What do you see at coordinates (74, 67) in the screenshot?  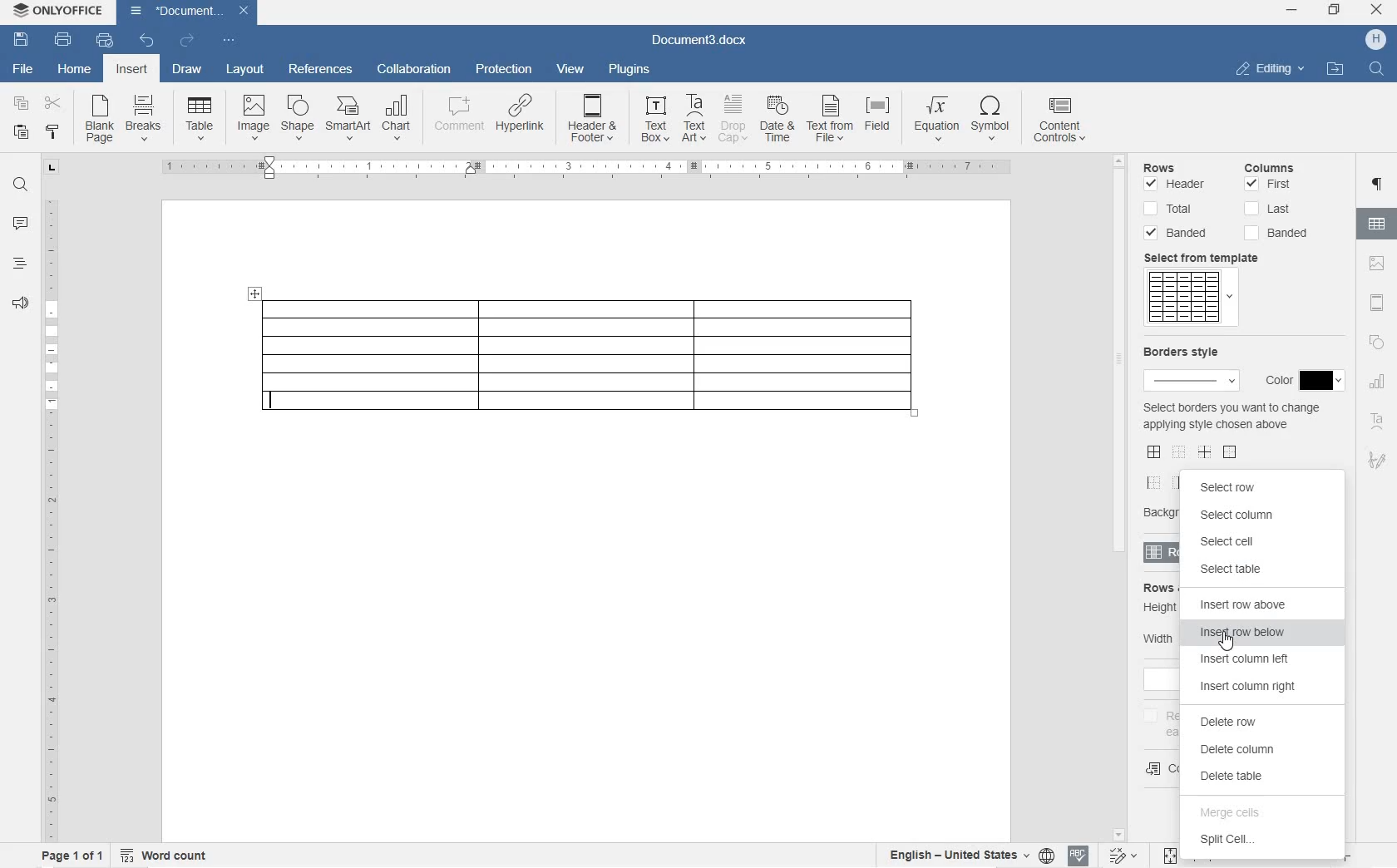 I see `HOME` at bounding box center [74, 67].